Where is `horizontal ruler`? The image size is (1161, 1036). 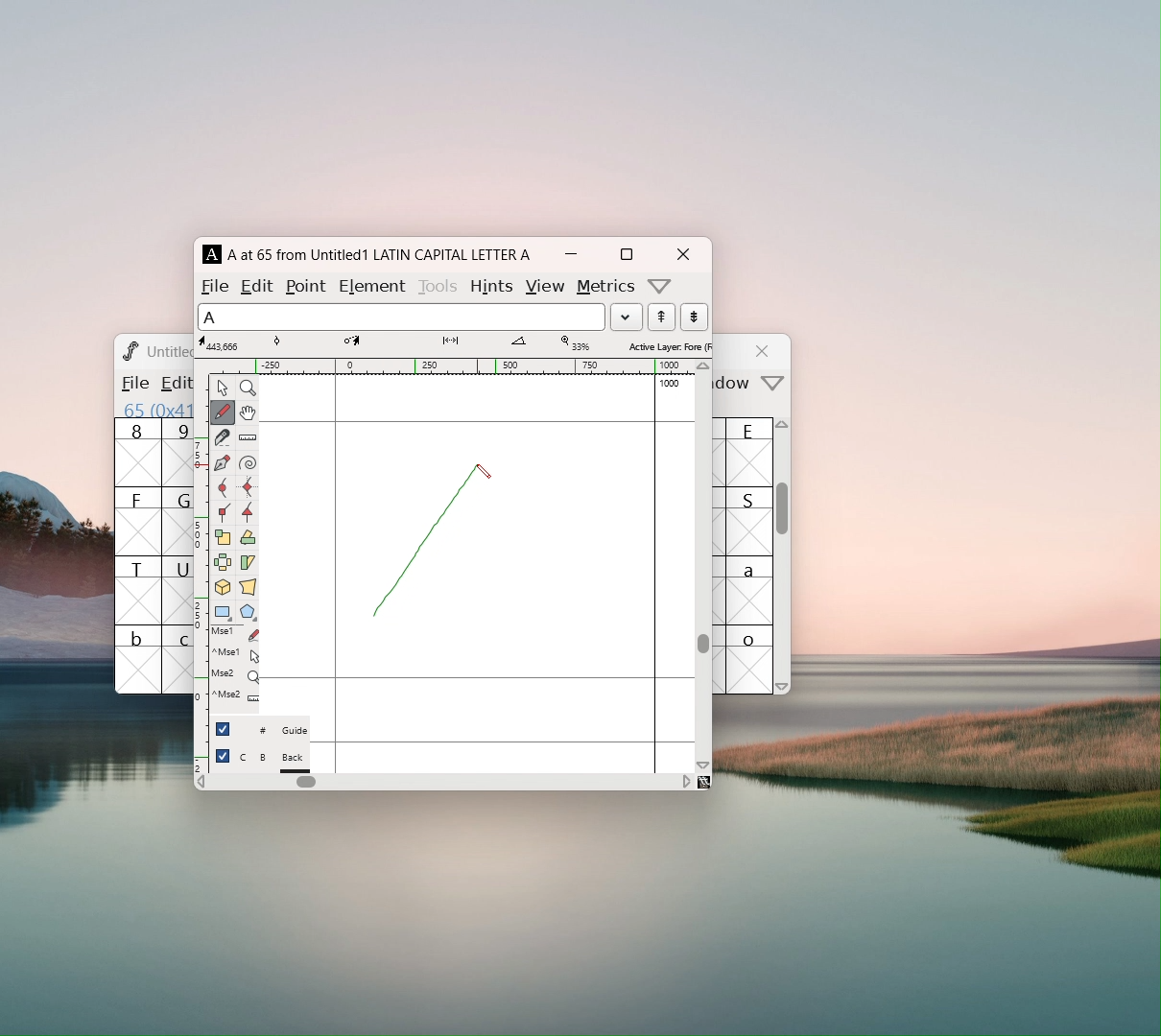 horizontal ruler is located at coordinates (452, 366).